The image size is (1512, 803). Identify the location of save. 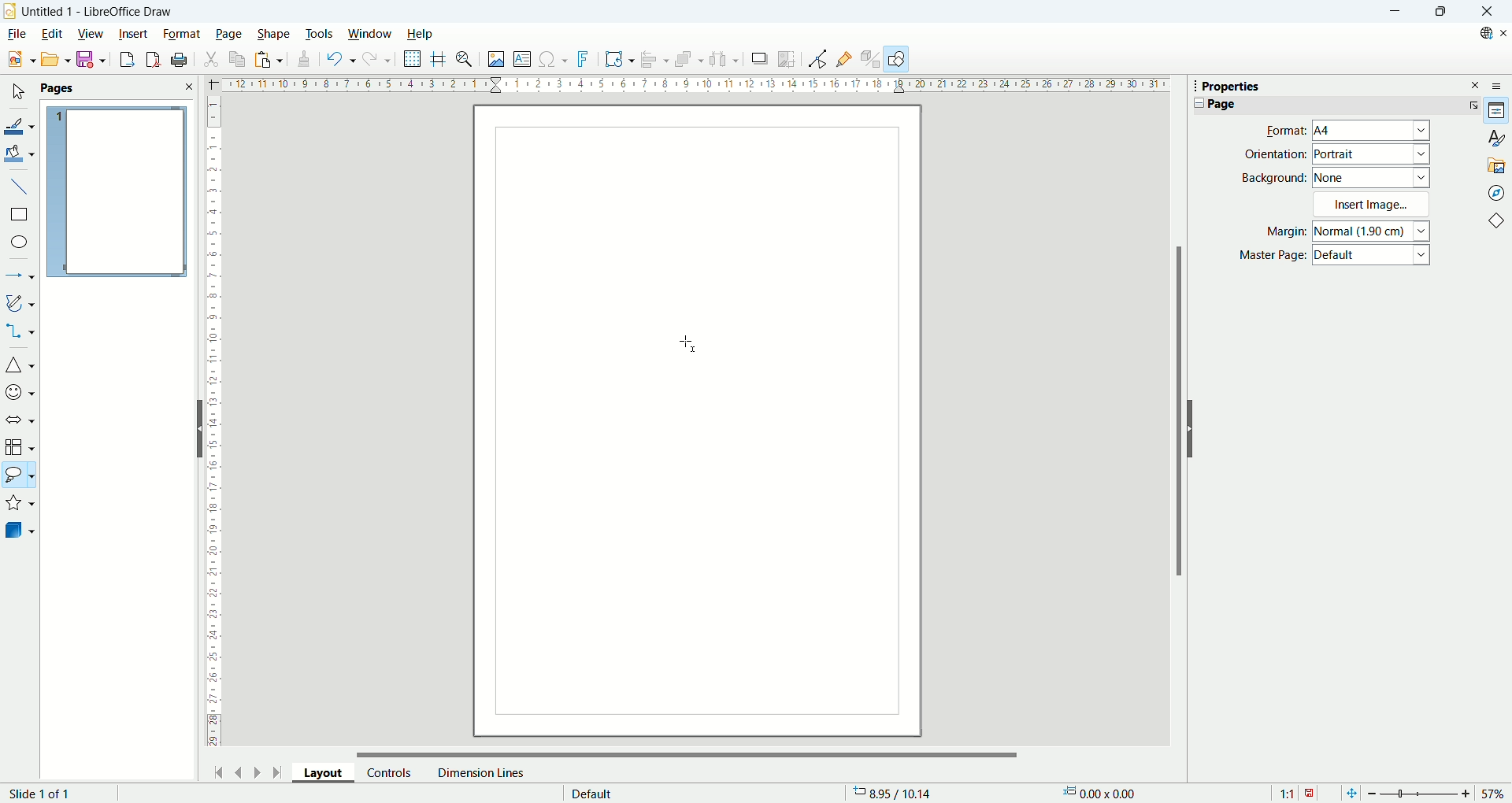
(91, 60).